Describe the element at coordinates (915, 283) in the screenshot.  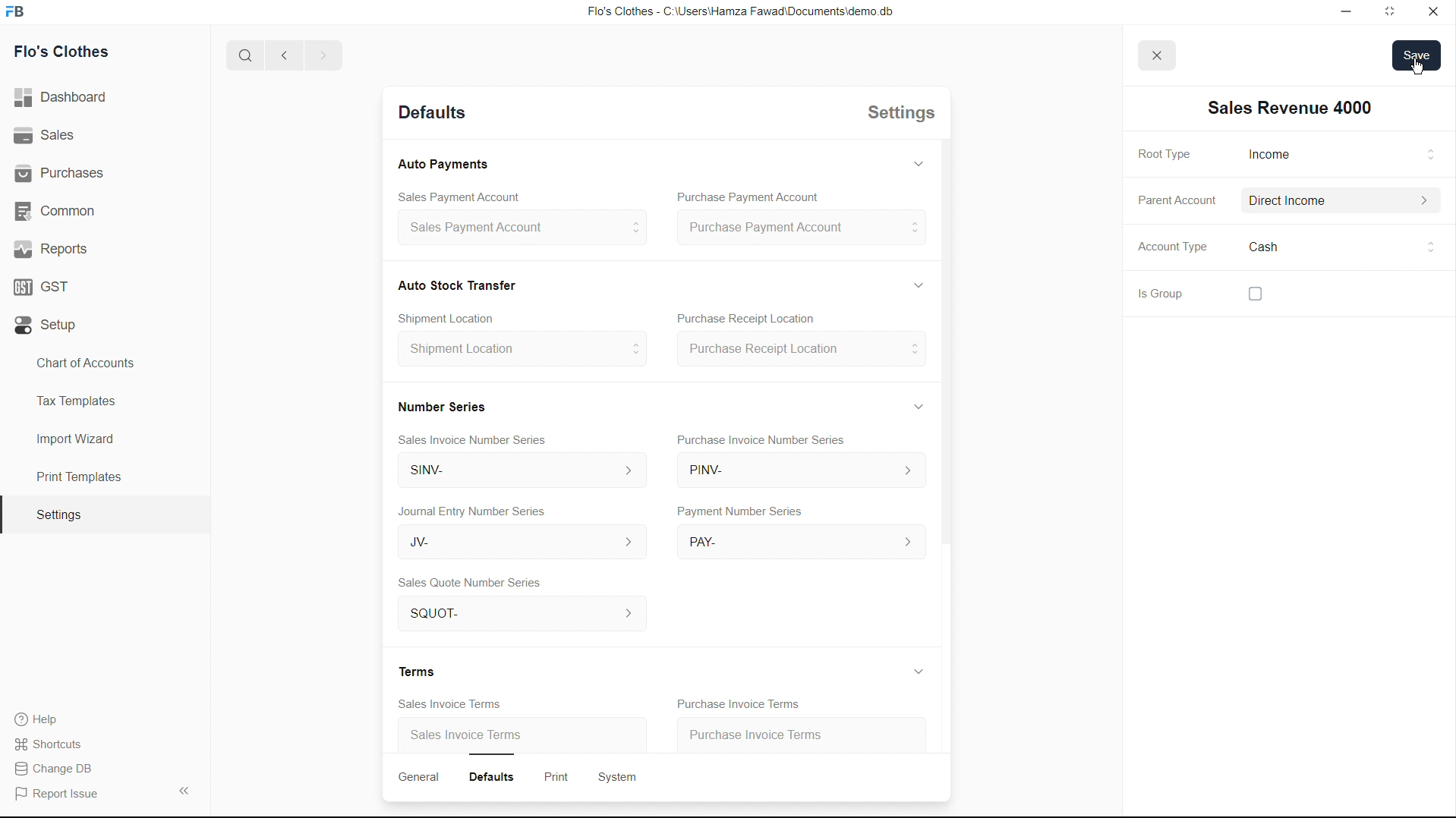
I see `Hide ` at that location.